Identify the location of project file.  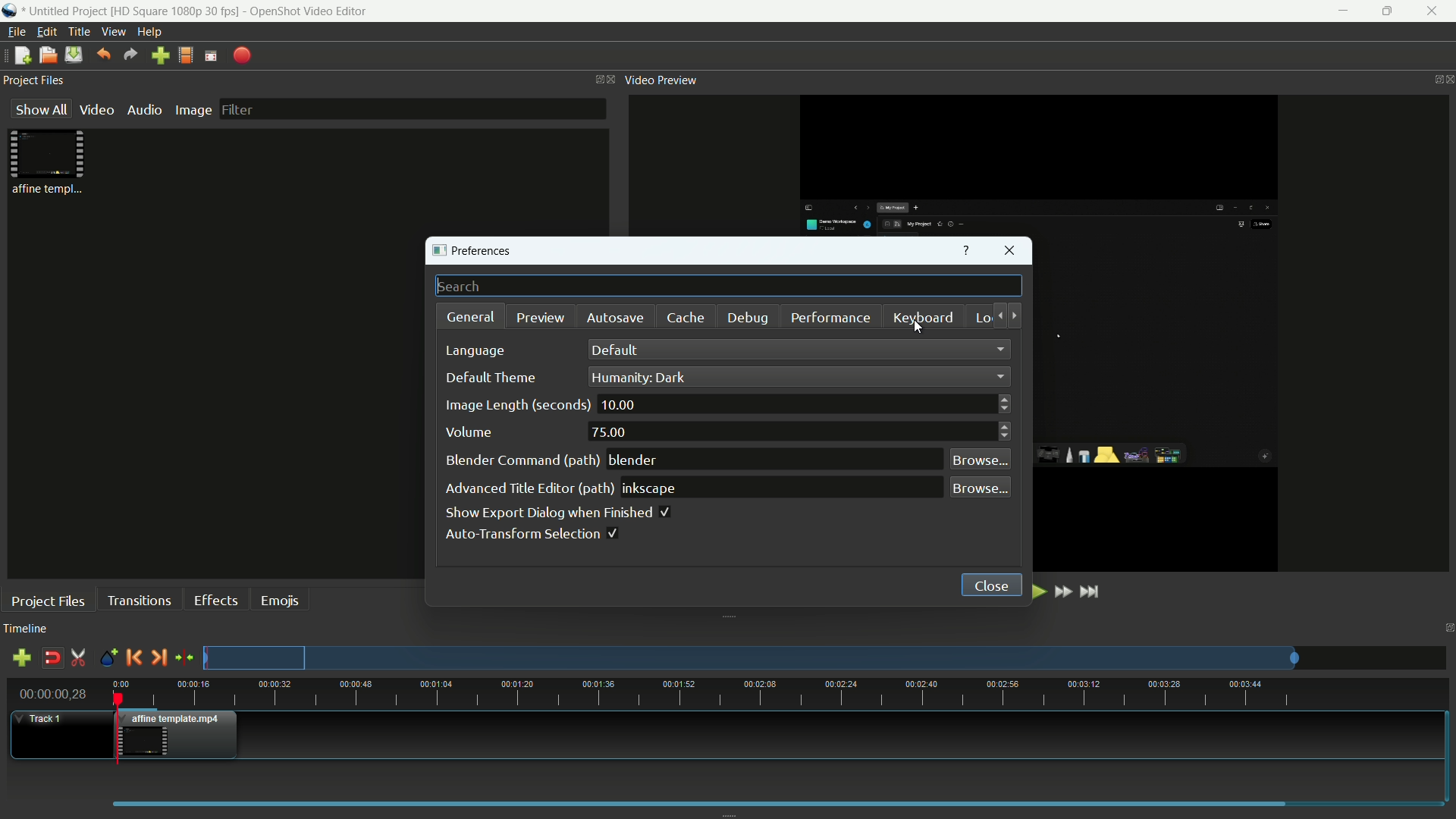
(49, 162).